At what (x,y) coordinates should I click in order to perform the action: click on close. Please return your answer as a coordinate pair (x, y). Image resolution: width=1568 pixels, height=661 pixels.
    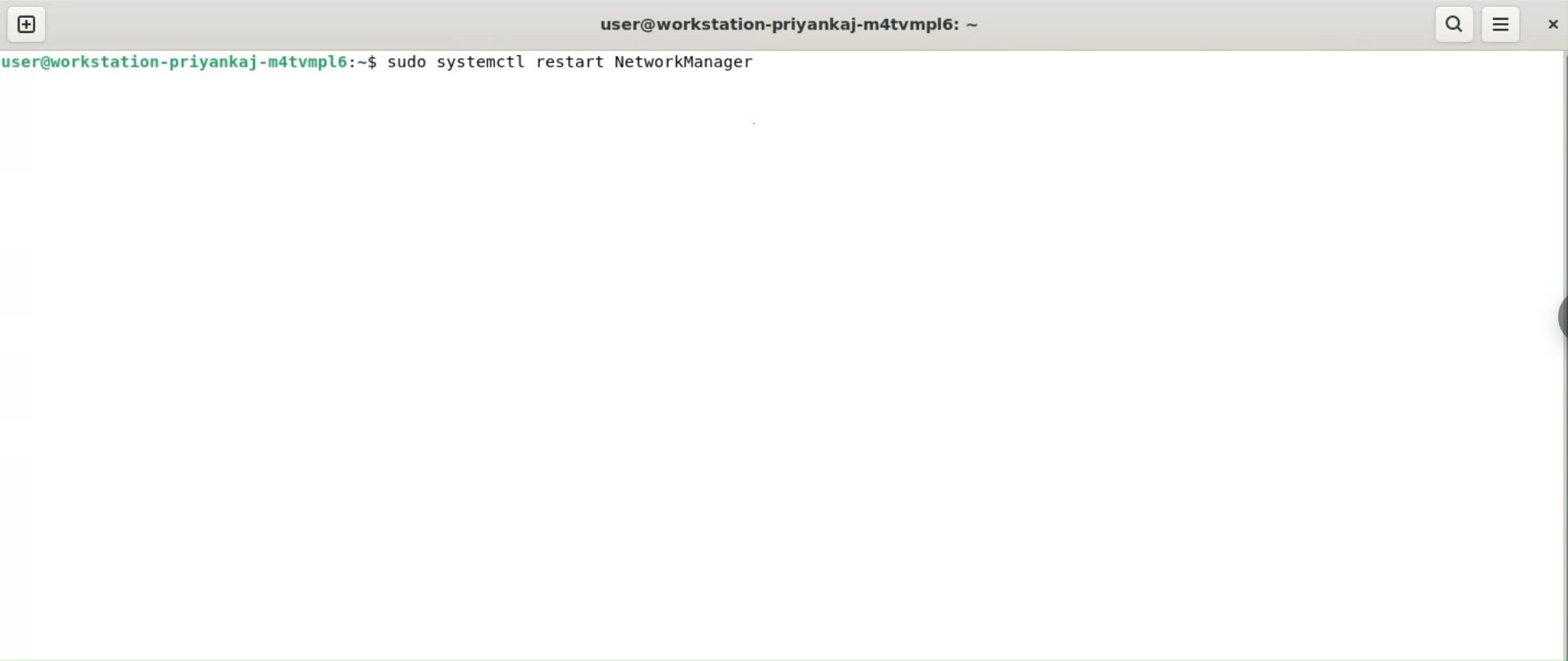
    Looking at the image, I should click on (1552, 25).